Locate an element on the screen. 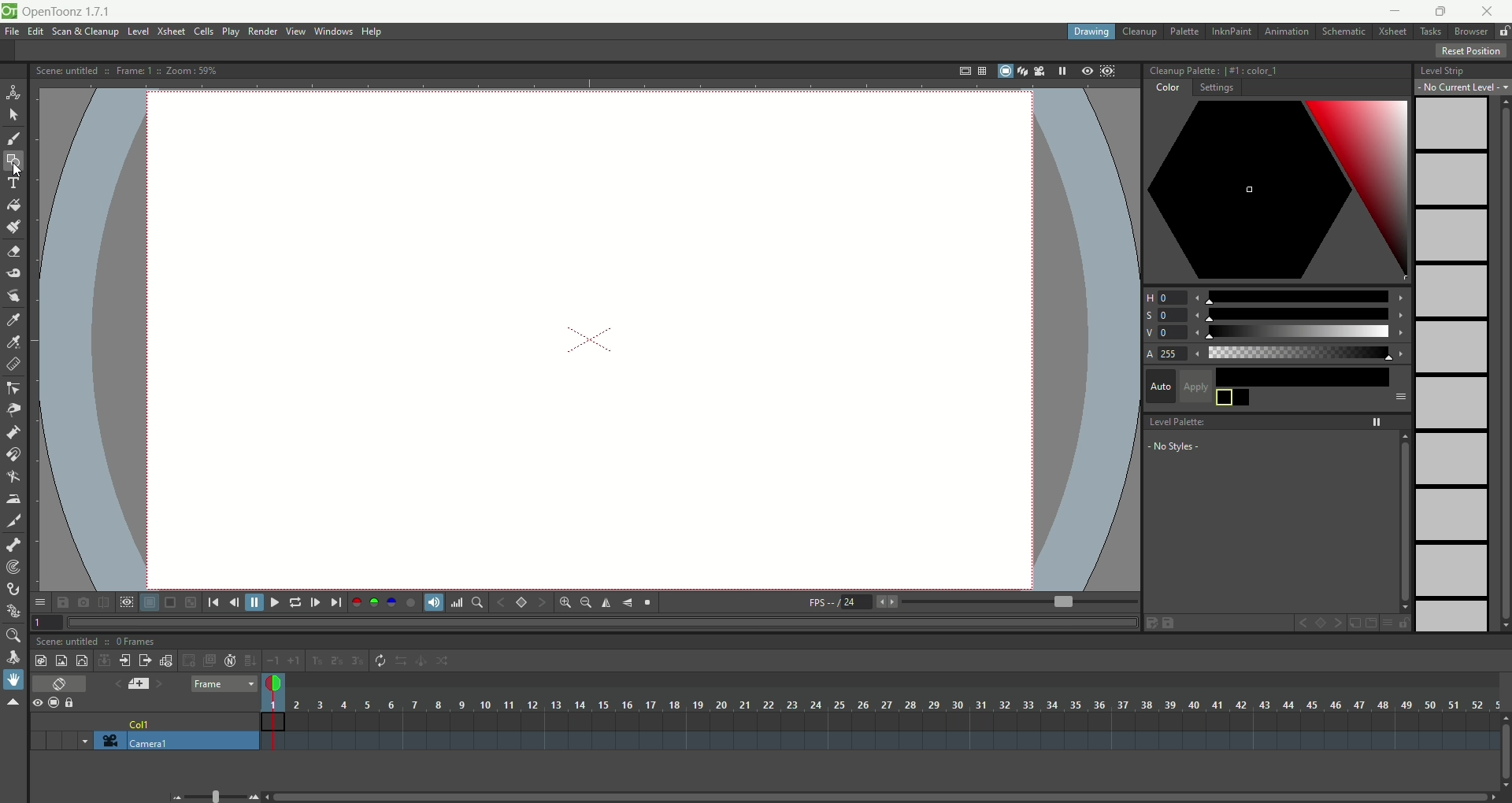 This screenshot has height=803, width=1512. style picker is located at coordinates (17, 320).